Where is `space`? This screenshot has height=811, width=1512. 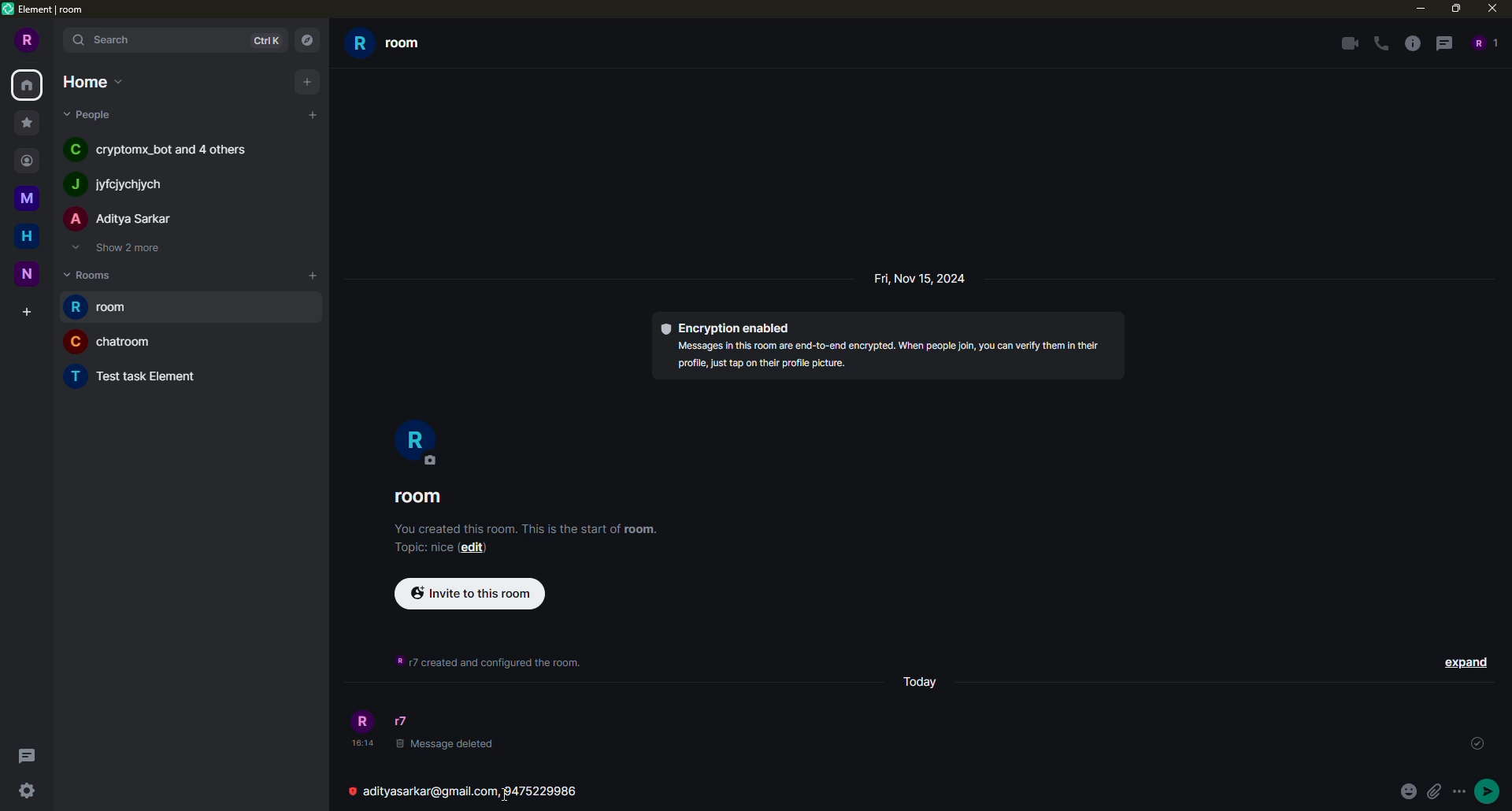 space is located at coordinates (29, 196).